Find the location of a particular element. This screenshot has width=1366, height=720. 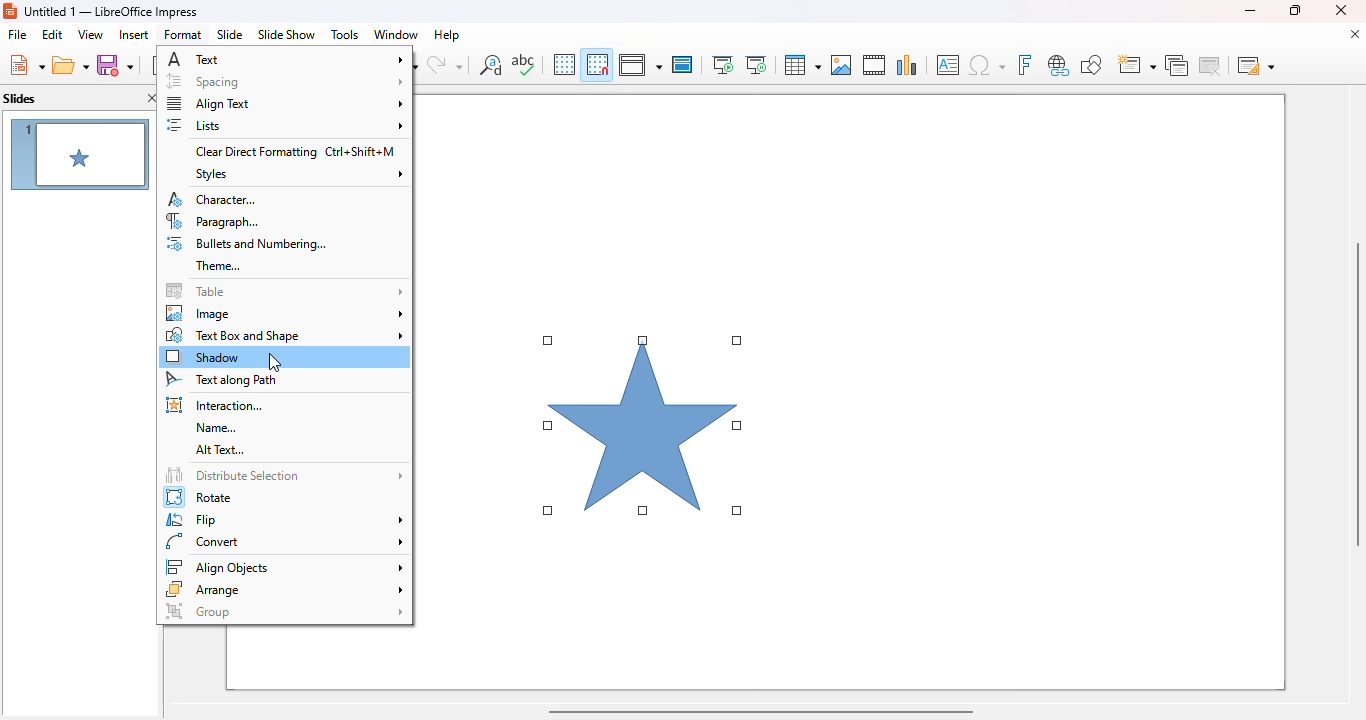

logo is located at coordinates (10, 11).